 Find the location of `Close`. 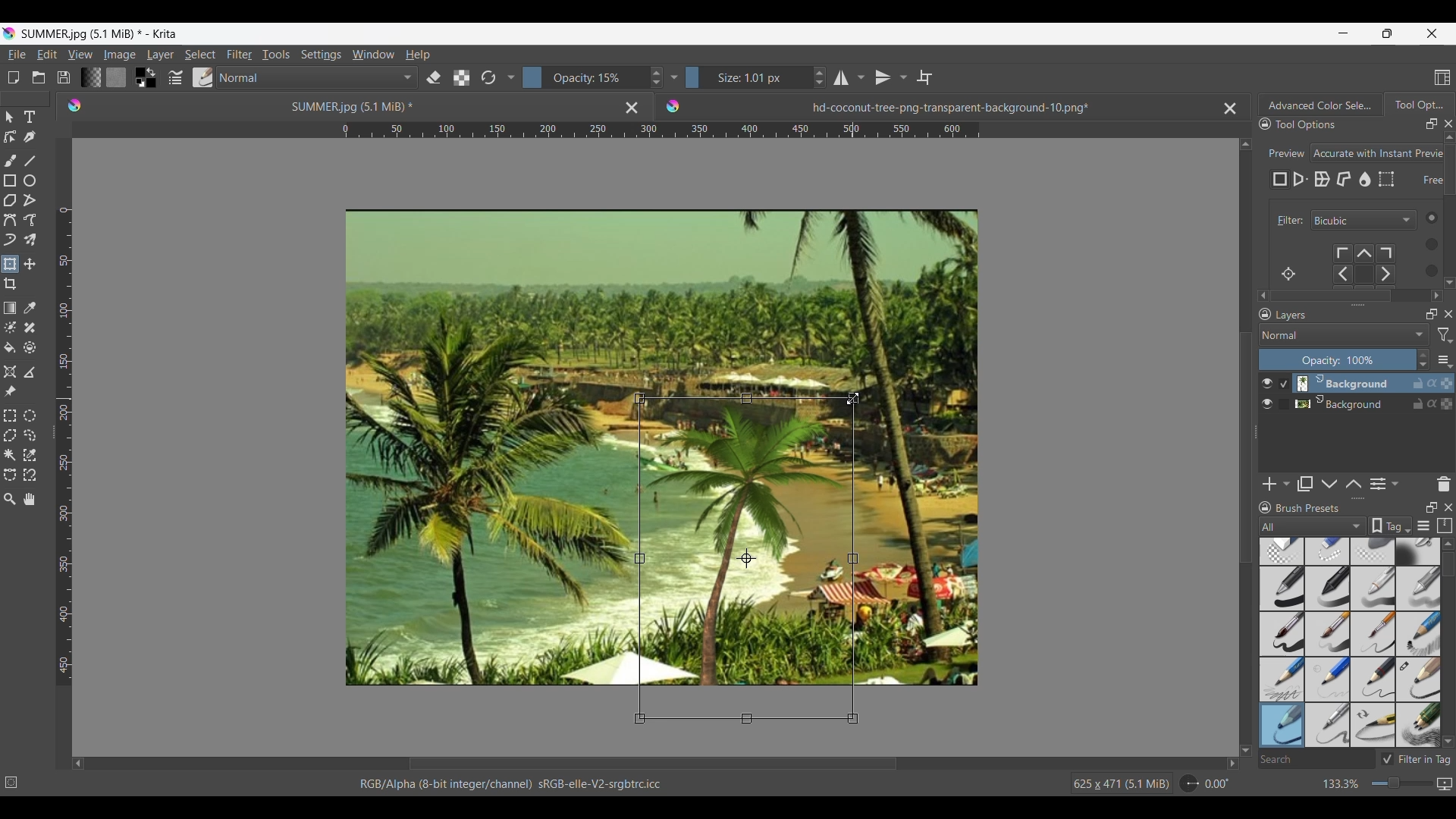

Close is located at coordinates (632, 107).